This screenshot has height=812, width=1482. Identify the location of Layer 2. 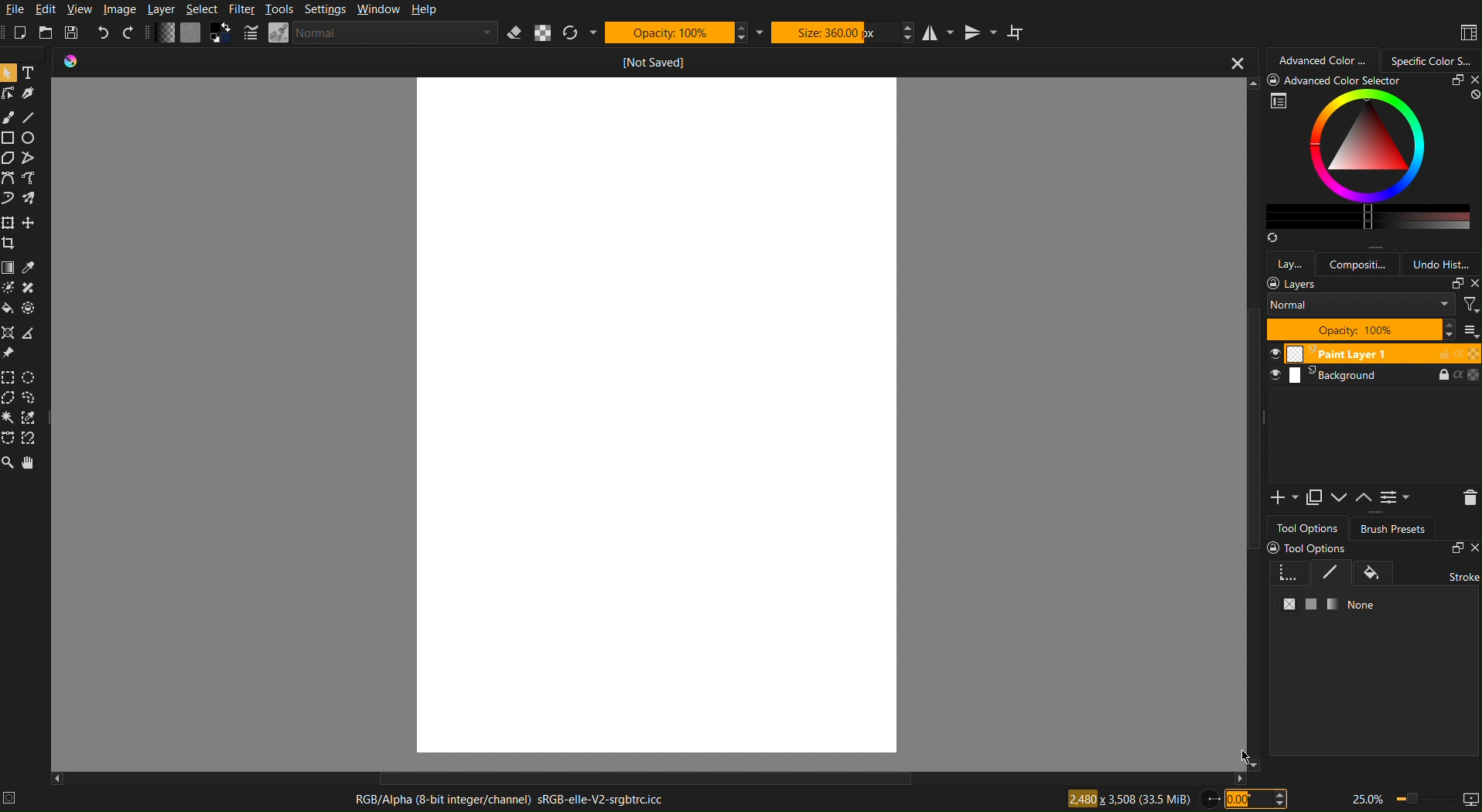
(1373, 375).